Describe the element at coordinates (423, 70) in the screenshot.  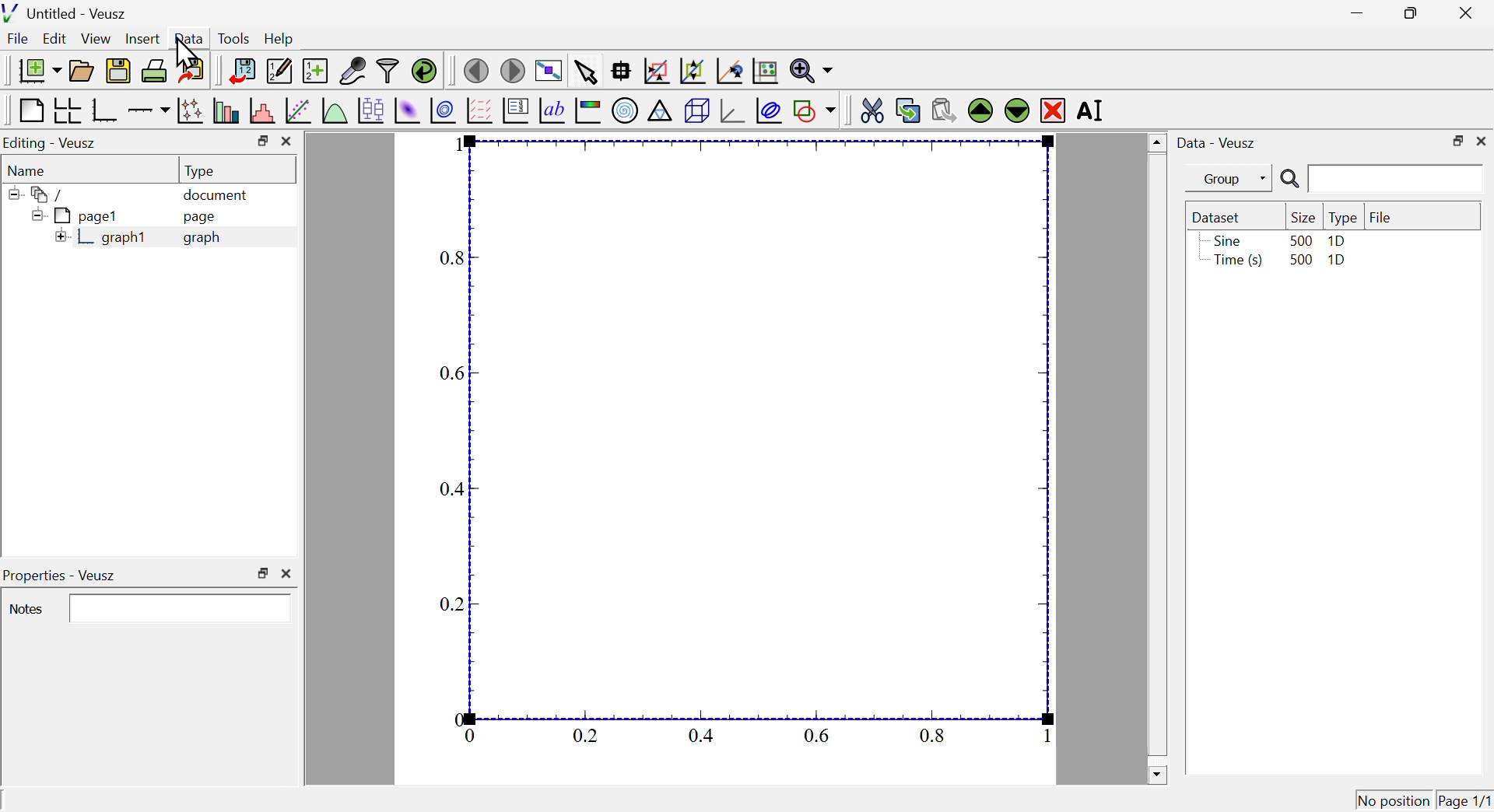
I see `reload linked datasets` at that location.